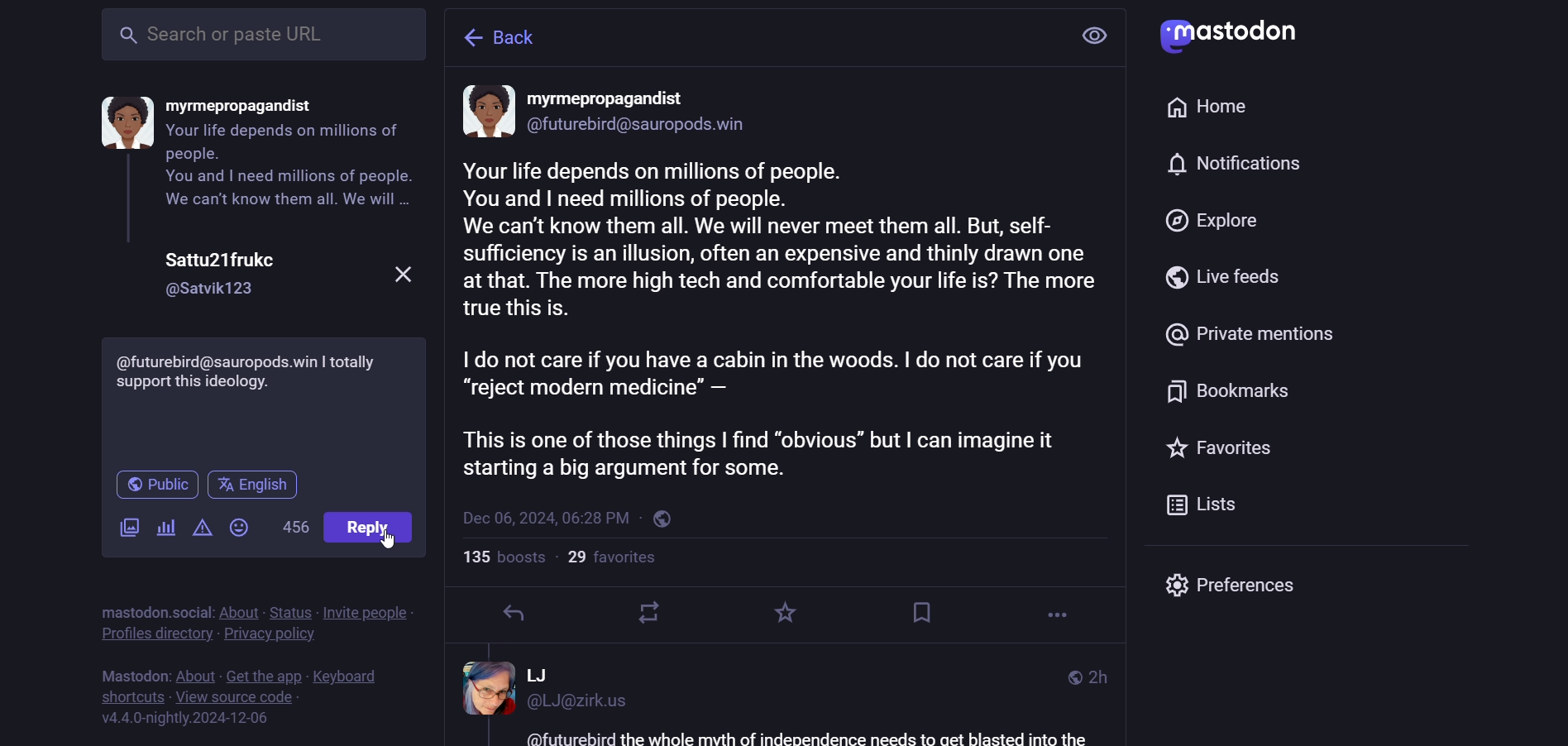 Image resolution: width=1568 pixels, height=746 pixels. I want to click on close, so click(405, 273).